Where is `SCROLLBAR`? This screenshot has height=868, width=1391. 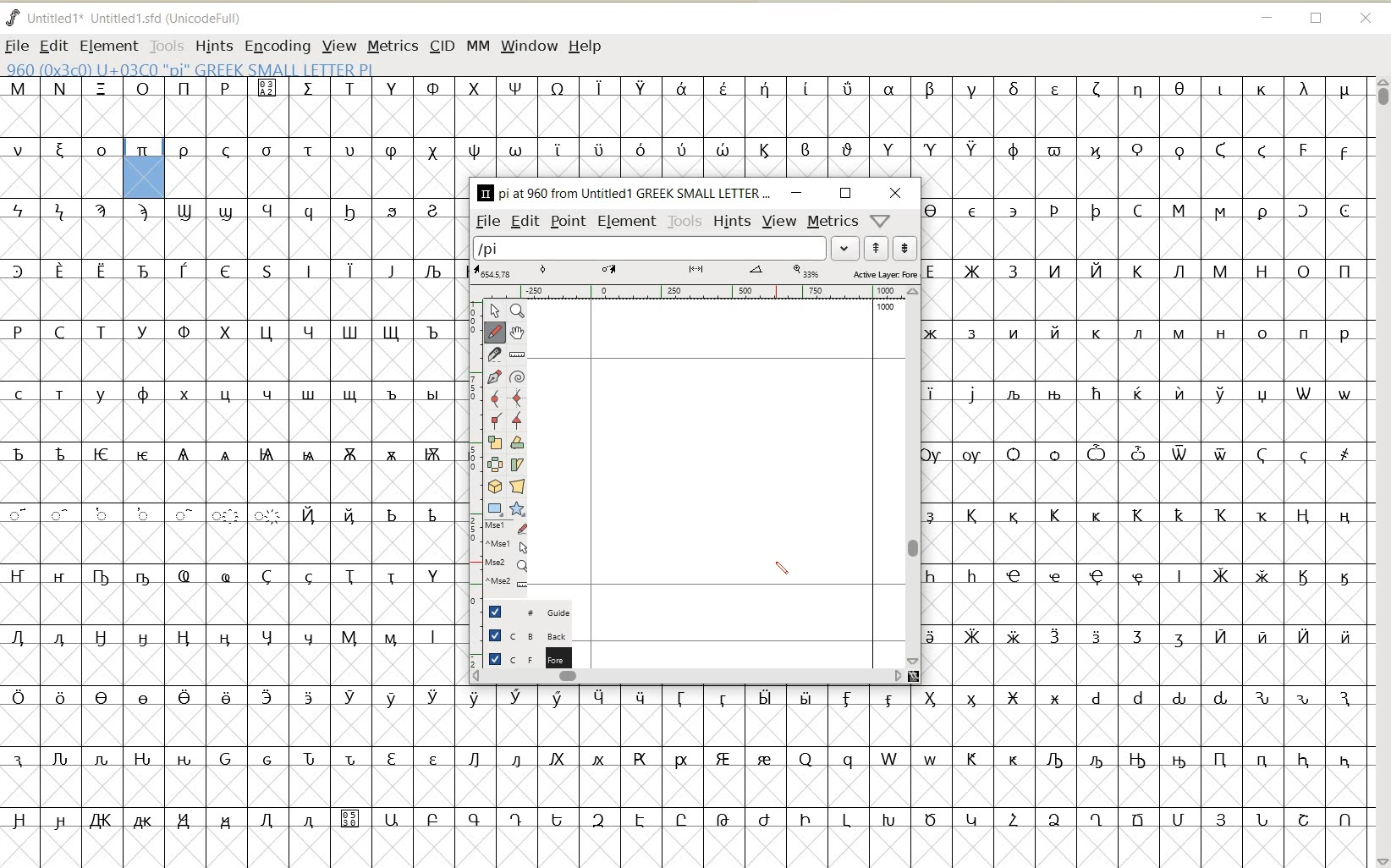 SCROLLBAR is located at coordinates (688, 678).